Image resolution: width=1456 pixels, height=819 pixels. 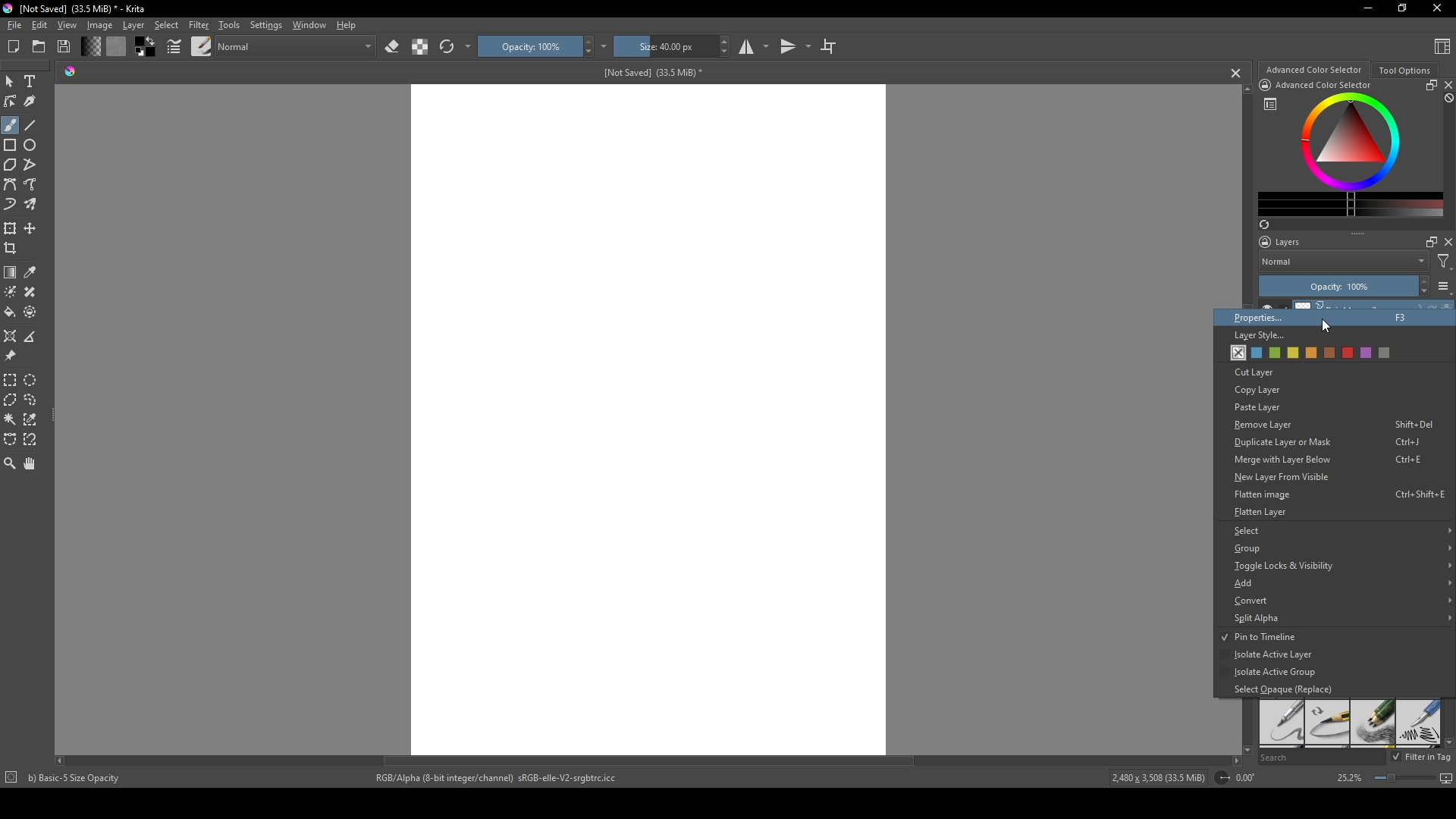 What do you see at coordinates (33, 337) in the screenshot?
I see `measure` at bounding box center [33, 337].